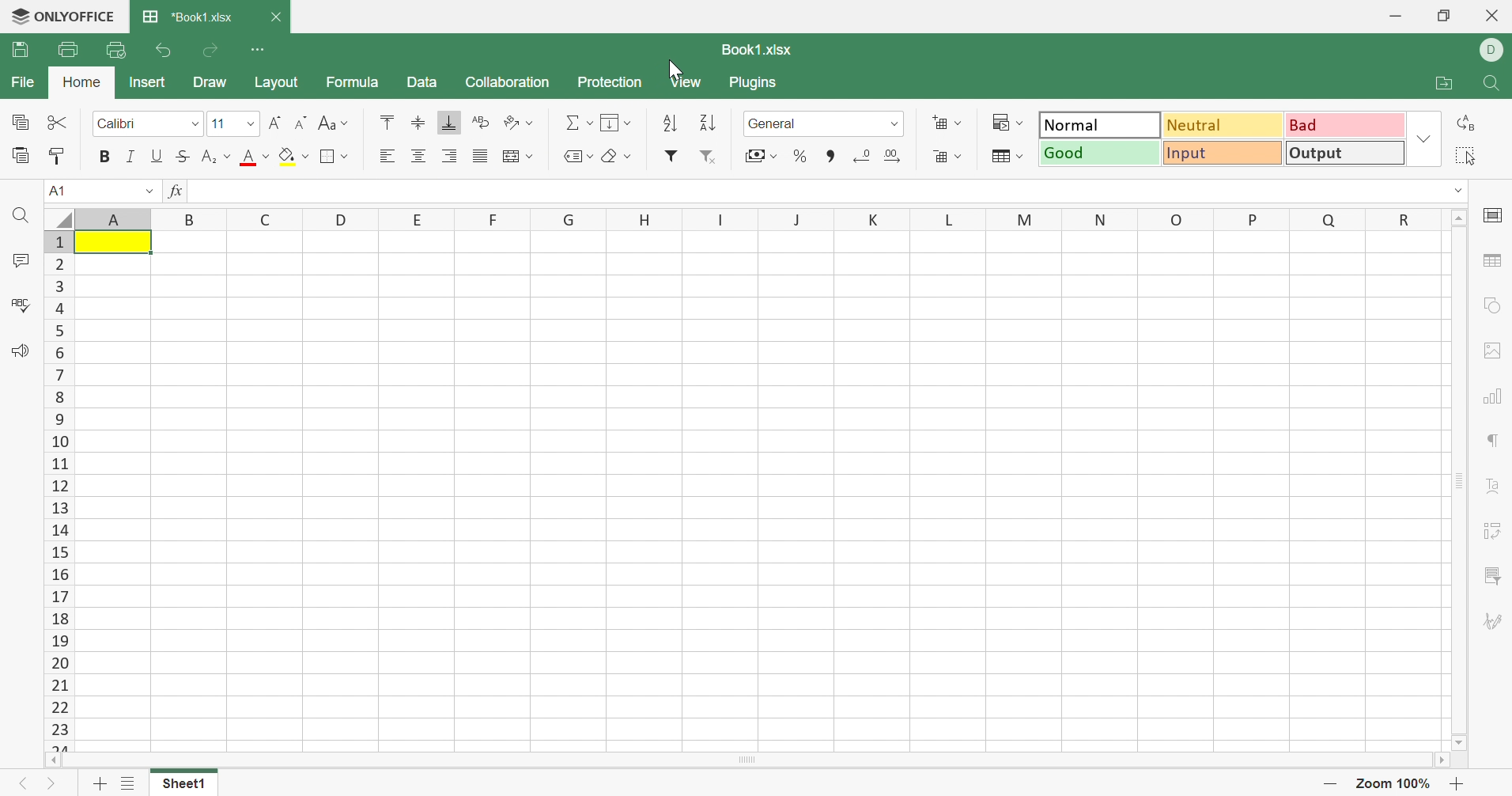  I want to click on Cursor, so click(675, 68).